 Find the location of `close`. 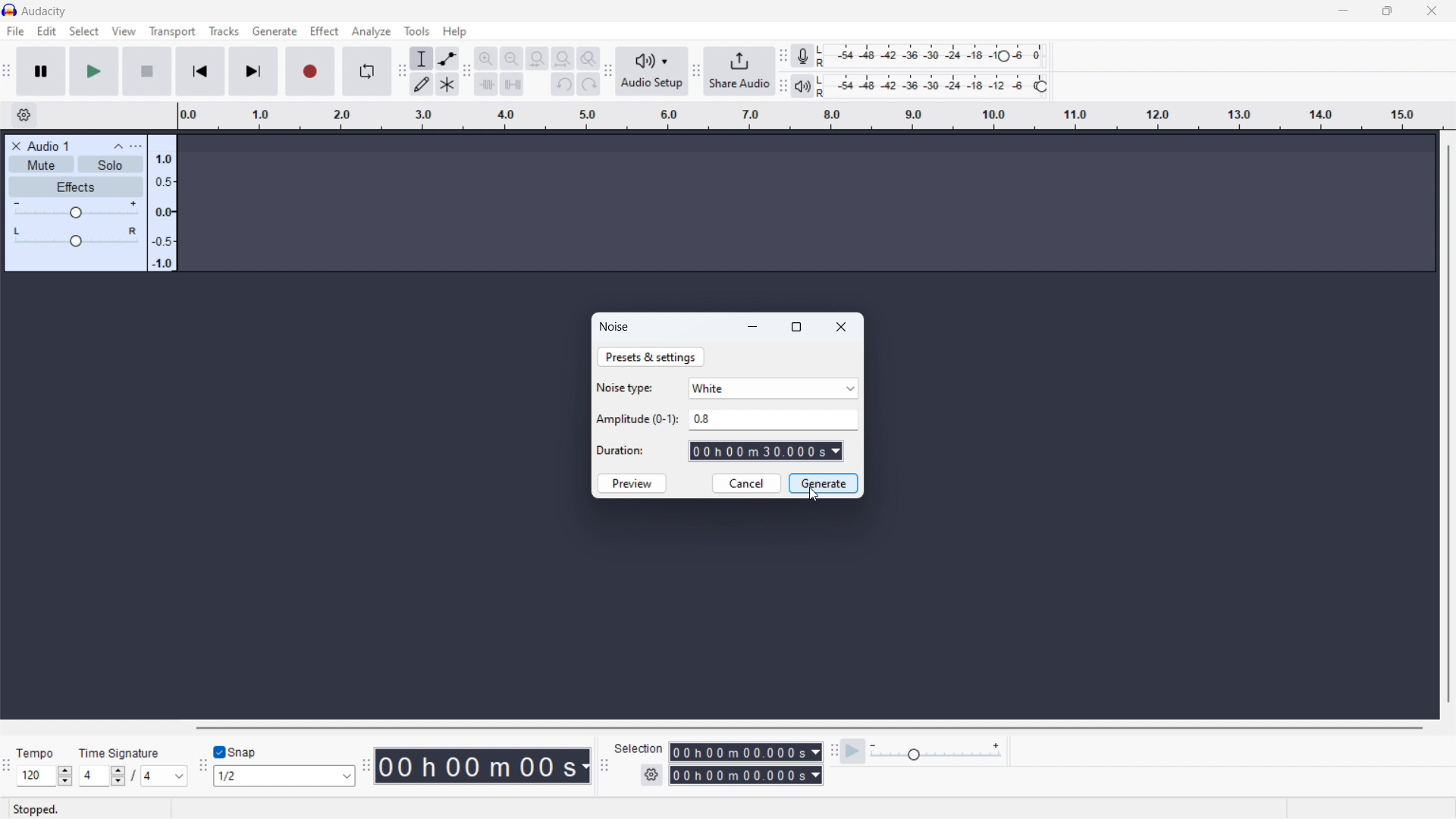

close is located at coordinates (843, 327).